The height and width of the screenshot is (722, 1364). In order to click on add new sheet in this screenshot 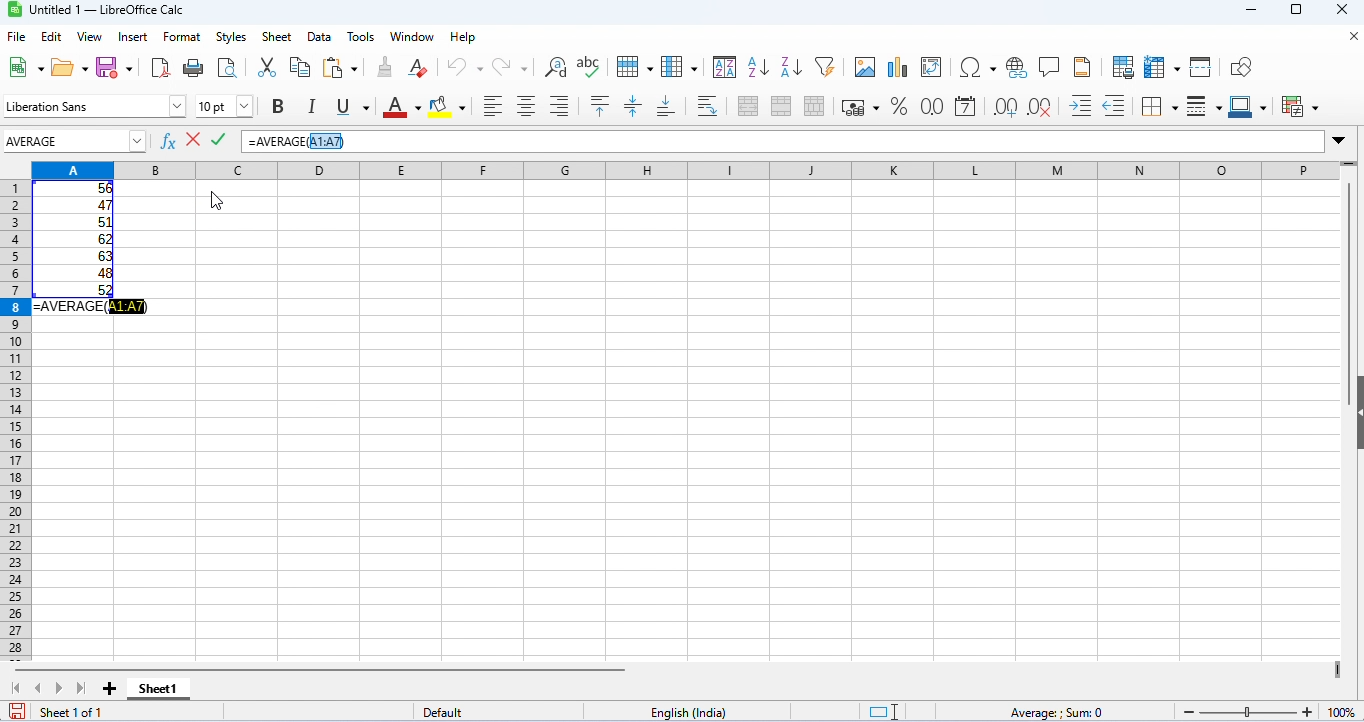, I will do `click(110, 690)`.